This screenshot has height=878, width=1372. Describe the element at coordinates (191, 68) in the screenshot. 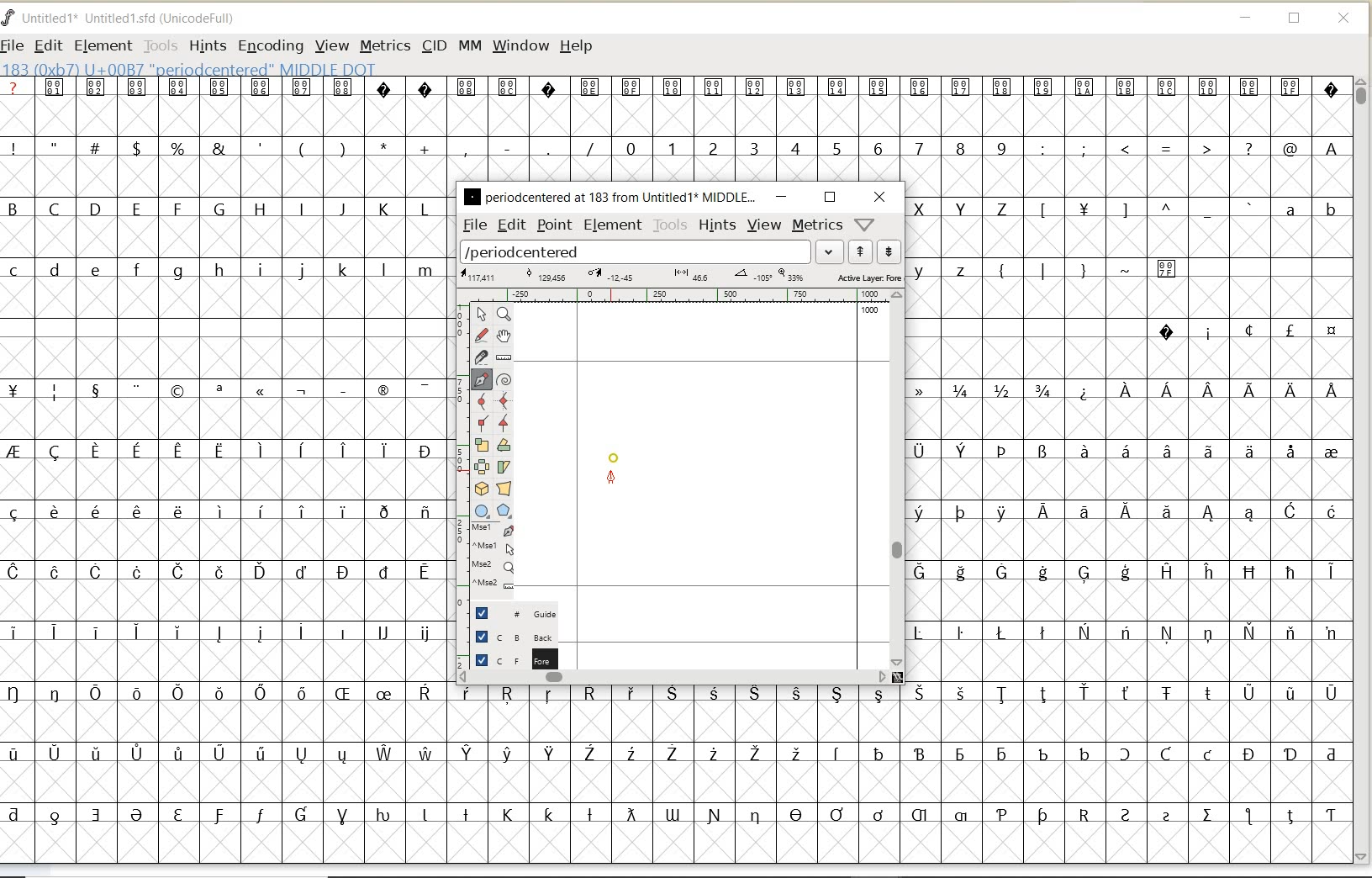

I see `glyph info` at that location.